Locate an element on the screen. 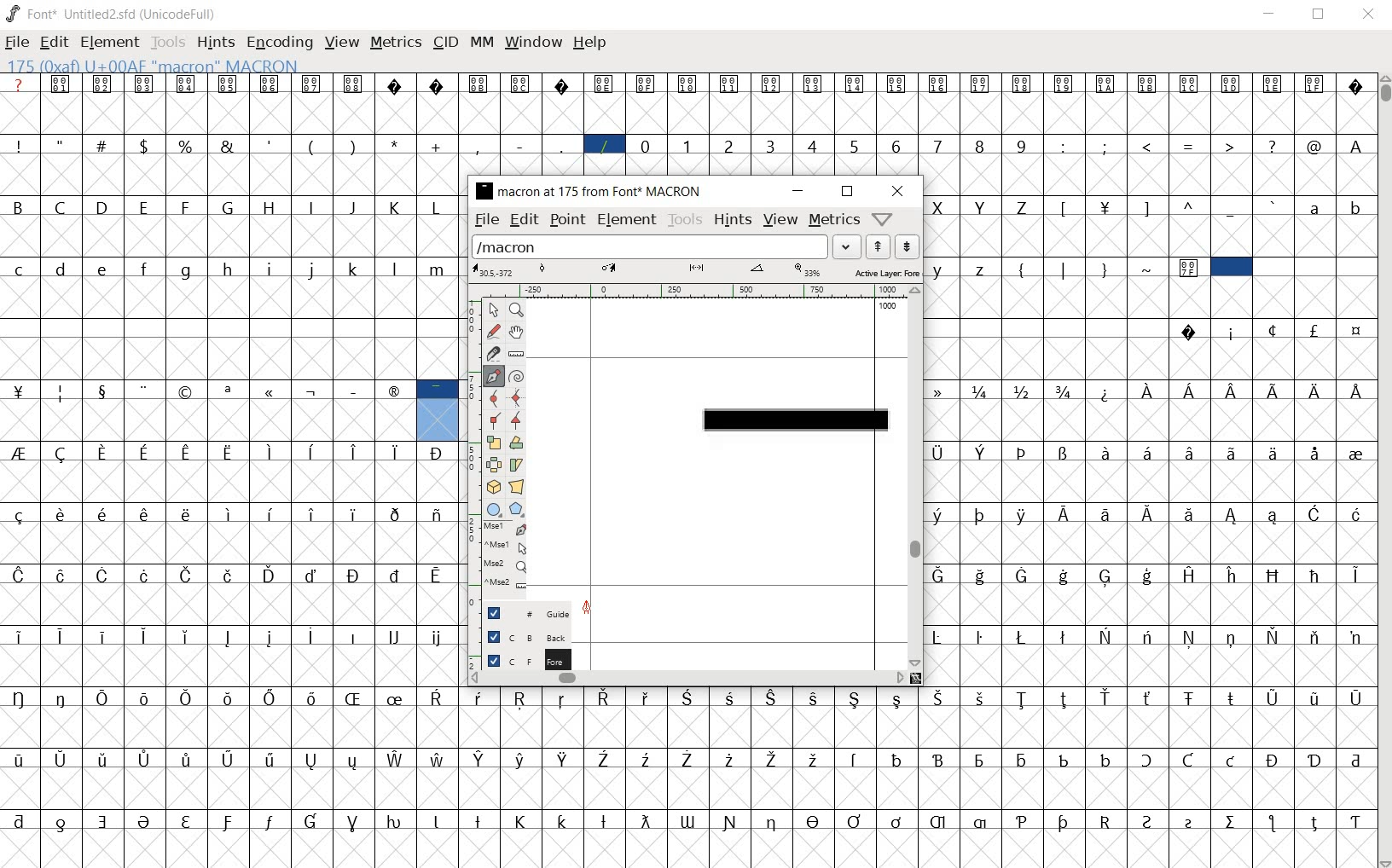 The width and height of the screenshot is (1392, 868). Symbol is located at coordinates (1314, 637).